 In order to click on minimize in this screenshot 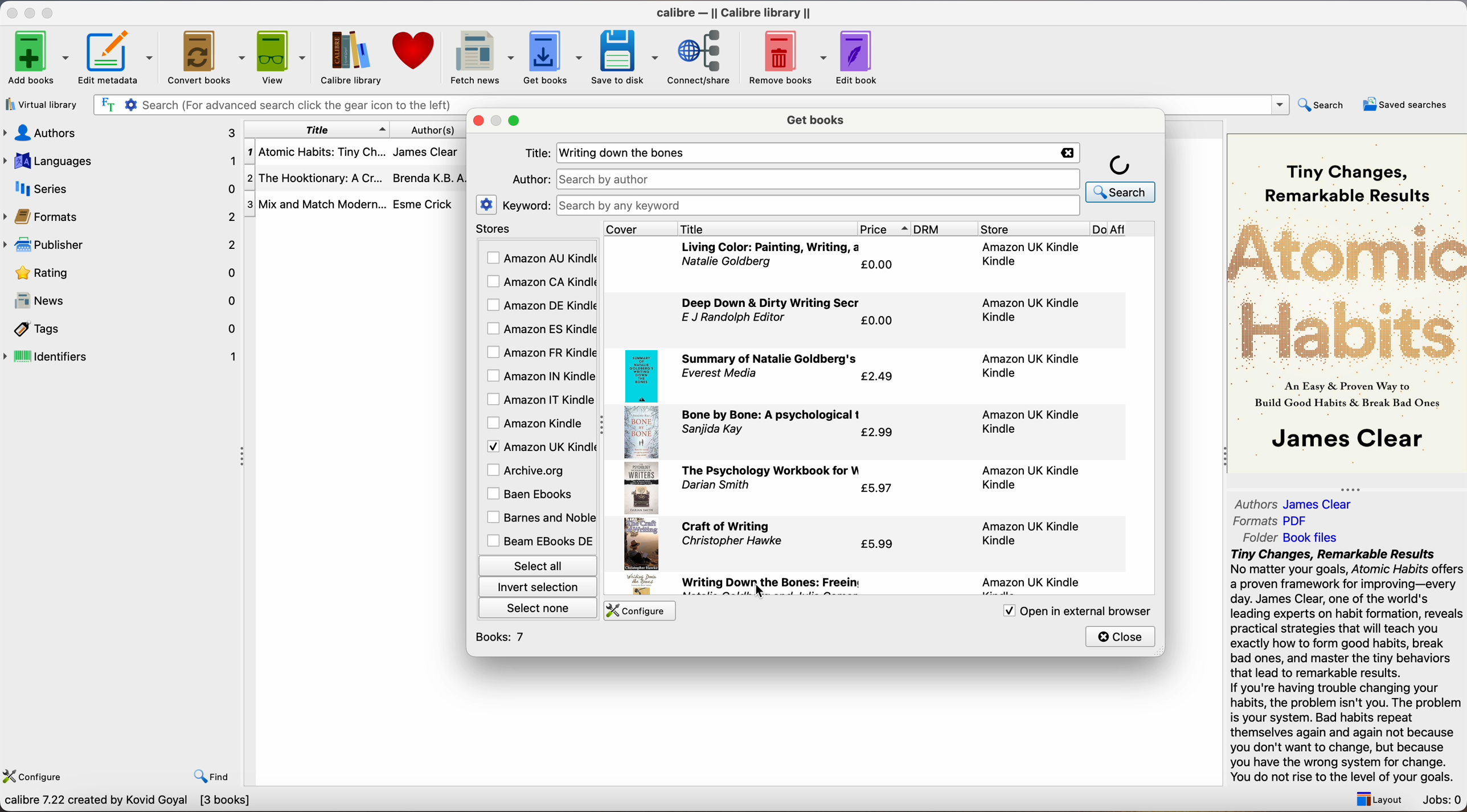, I will do `click(32, 12)`.